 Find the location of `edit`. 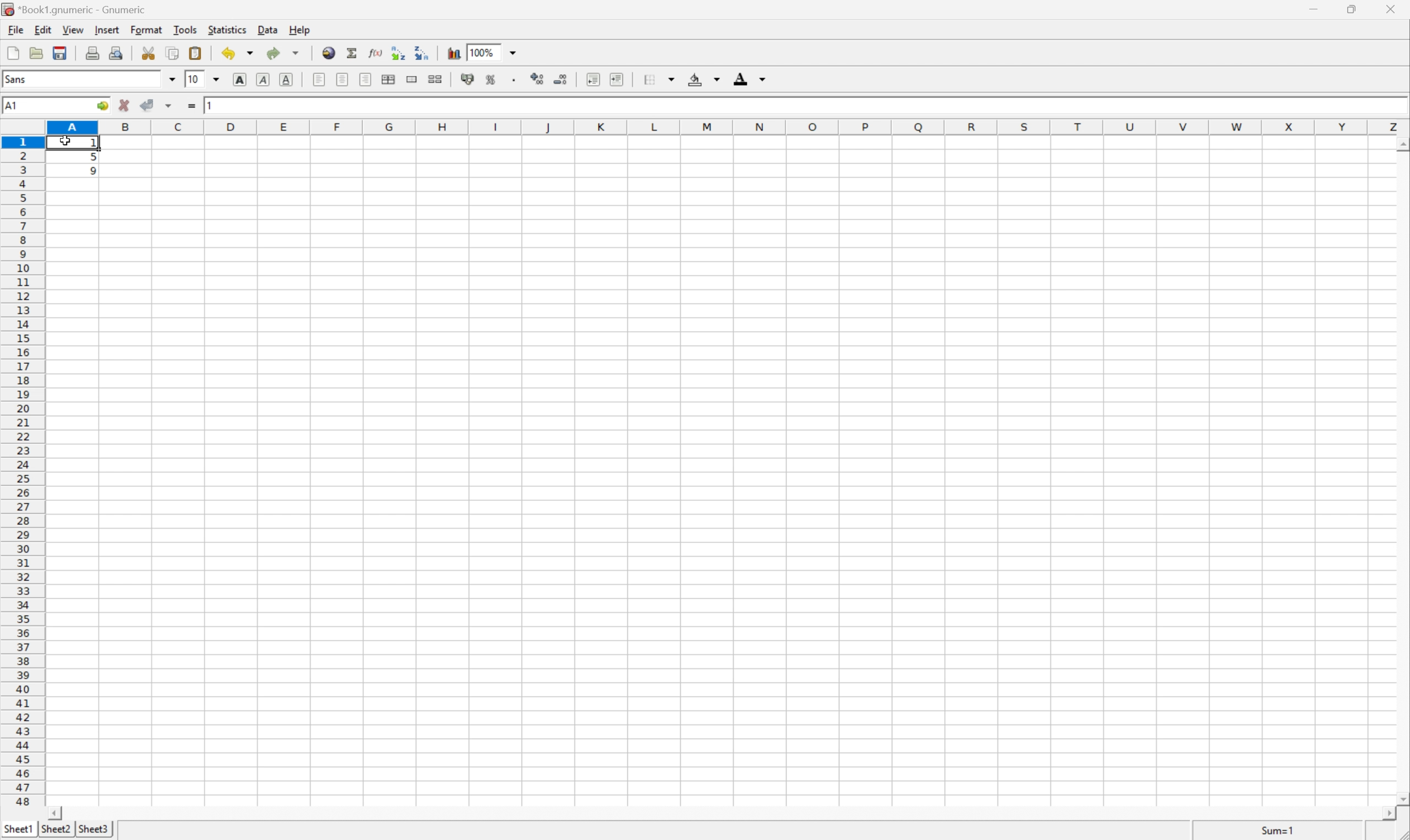

edit is located at coordinates (44, 28).